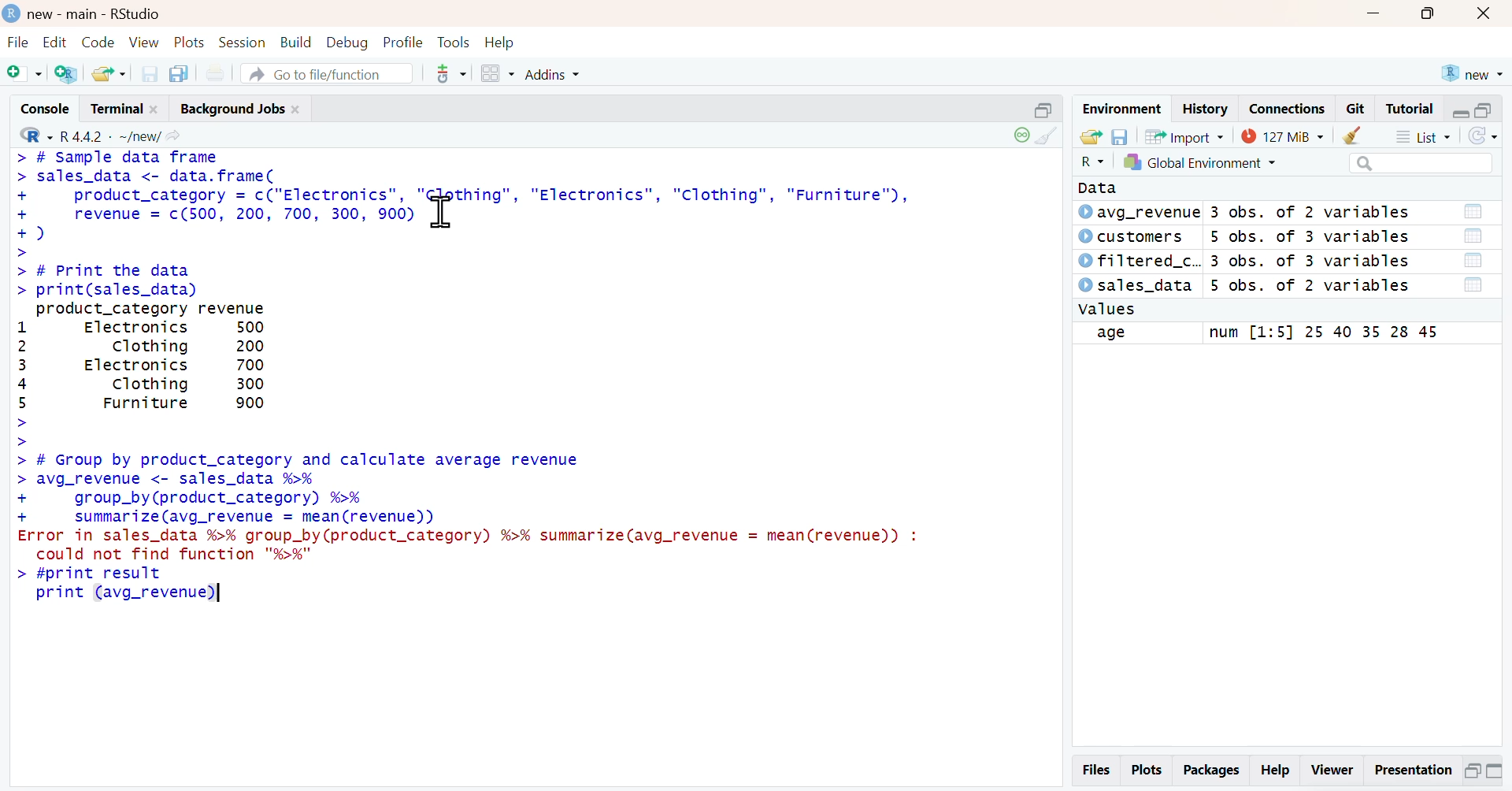  What do you see at coordinates (1138, 249) in the screenshot?
I see `Dataset names` at bounding box center [1138, 249].